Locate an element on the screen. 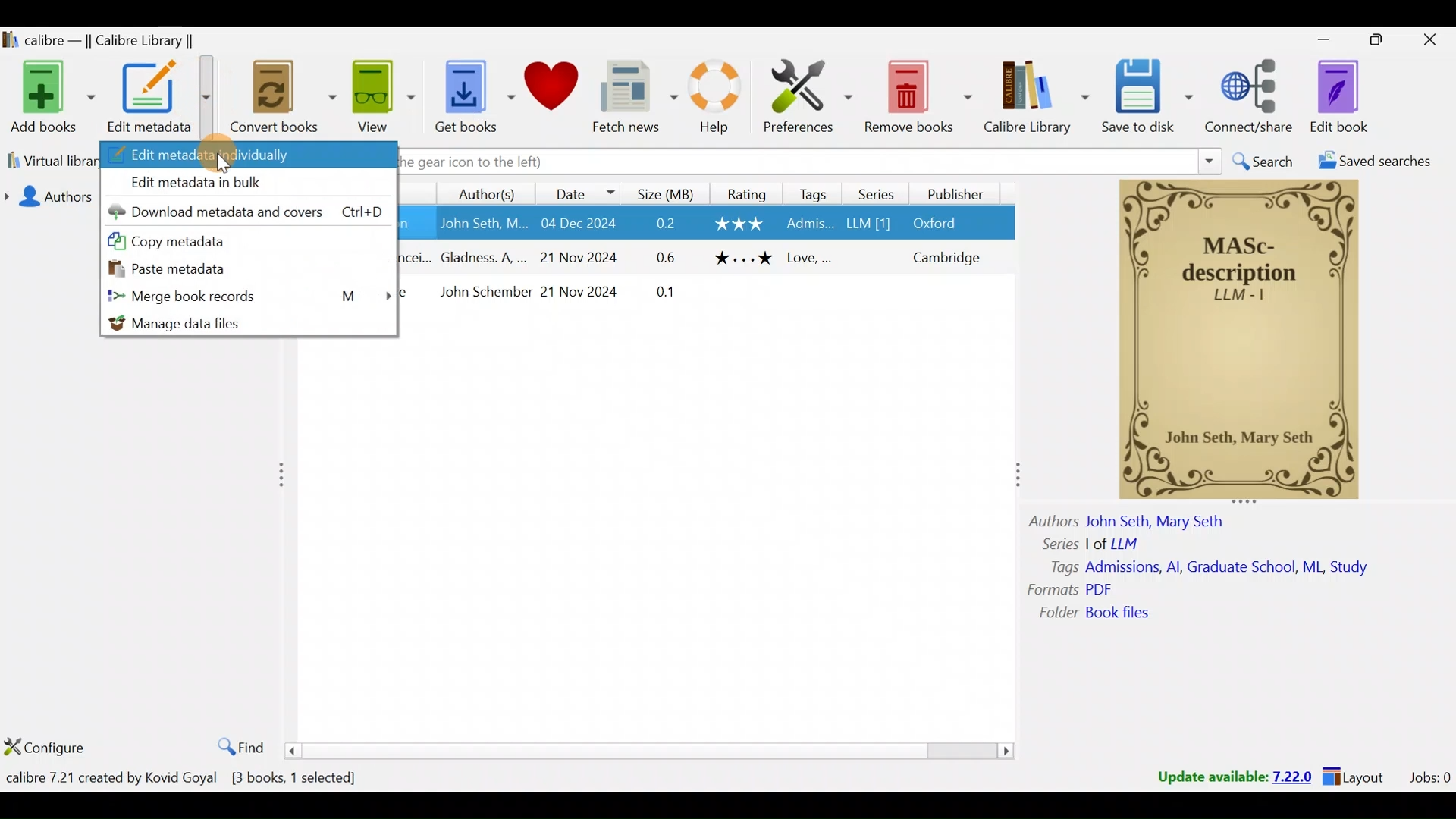 Image resolution: width=1456 pixels, height=819 pixels.  is located at coordinates (482, 224).